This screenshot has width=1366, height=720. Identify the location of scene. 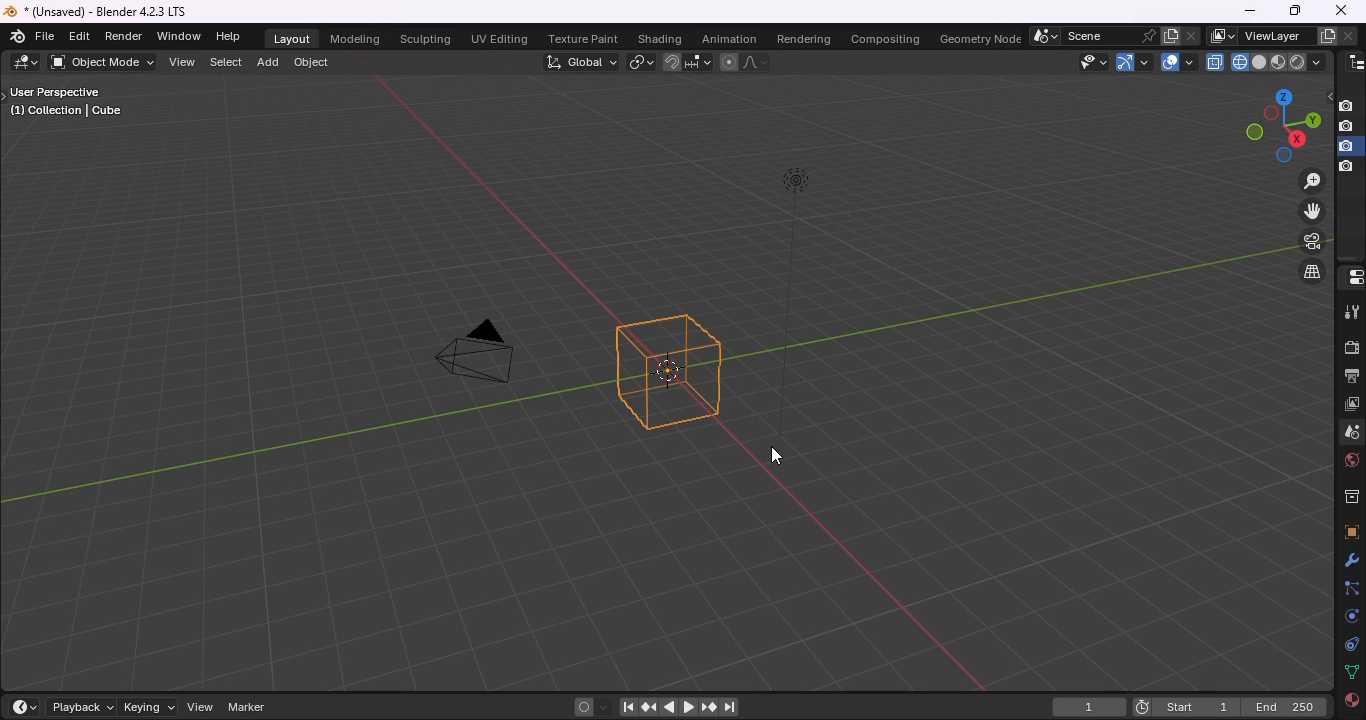
(1351, 432).